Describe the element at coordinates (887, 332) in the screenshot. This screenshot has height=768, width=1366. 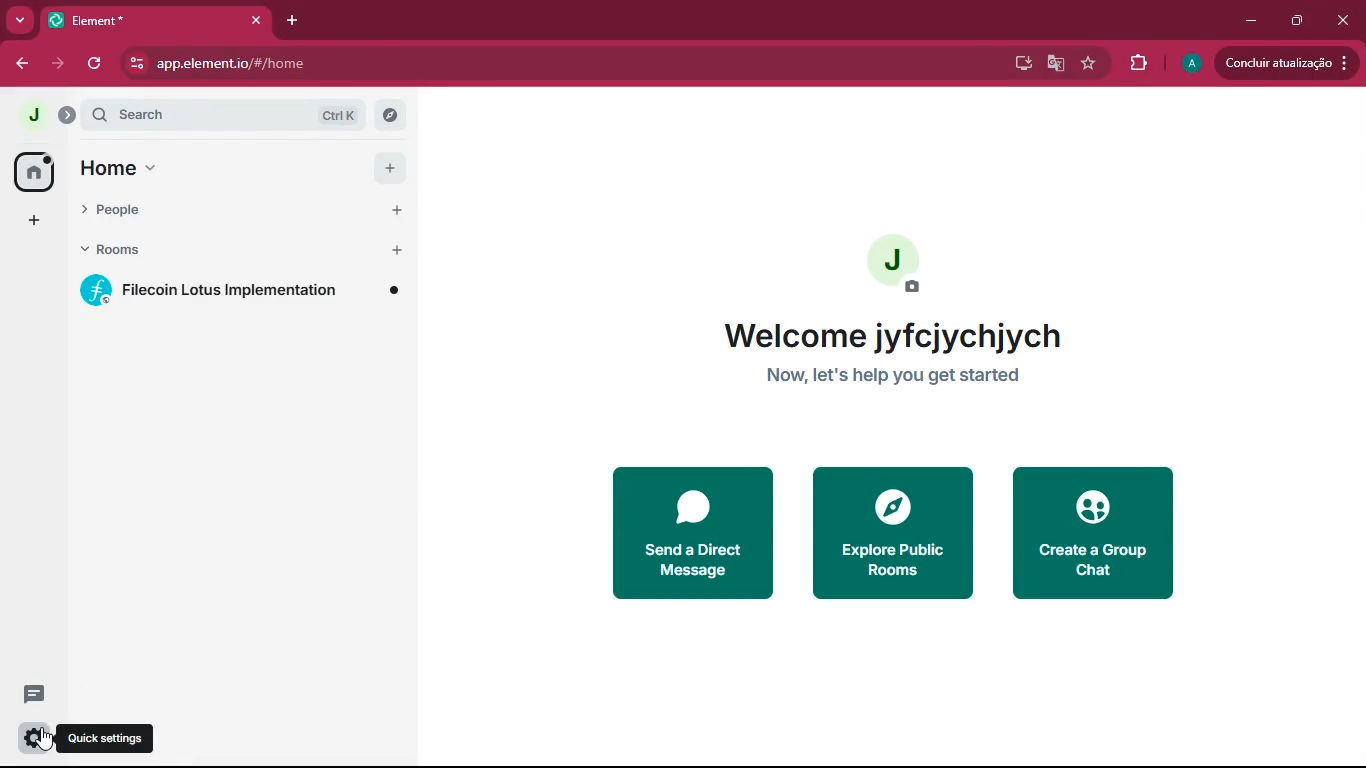
I see `Welcome jyfcjychjych` at that location.